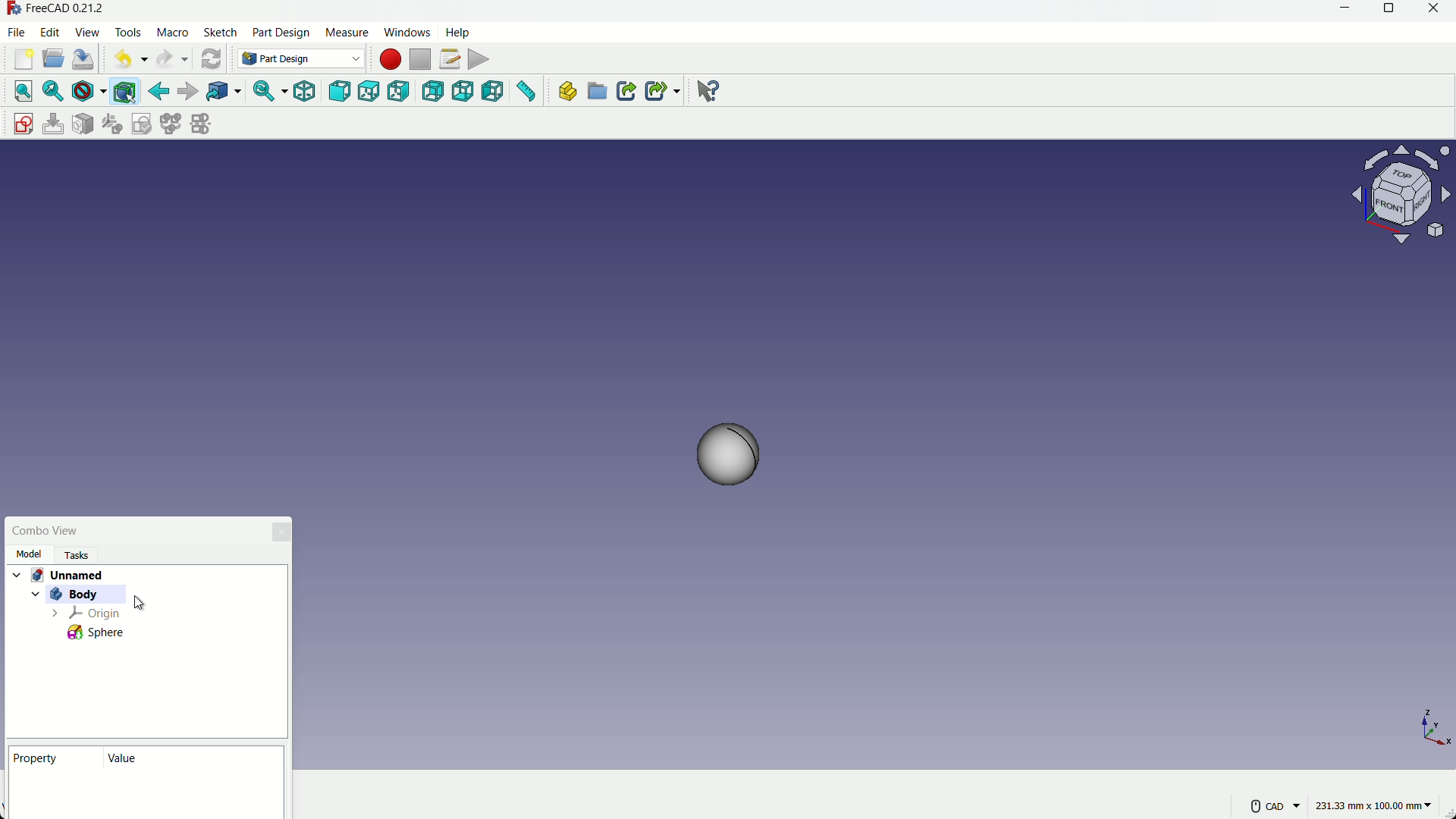 The height and width of the screenshot is (819, 1456). Describe the element at coordinates (51, 529) in the screenshot. I see `Combo View` at that location.